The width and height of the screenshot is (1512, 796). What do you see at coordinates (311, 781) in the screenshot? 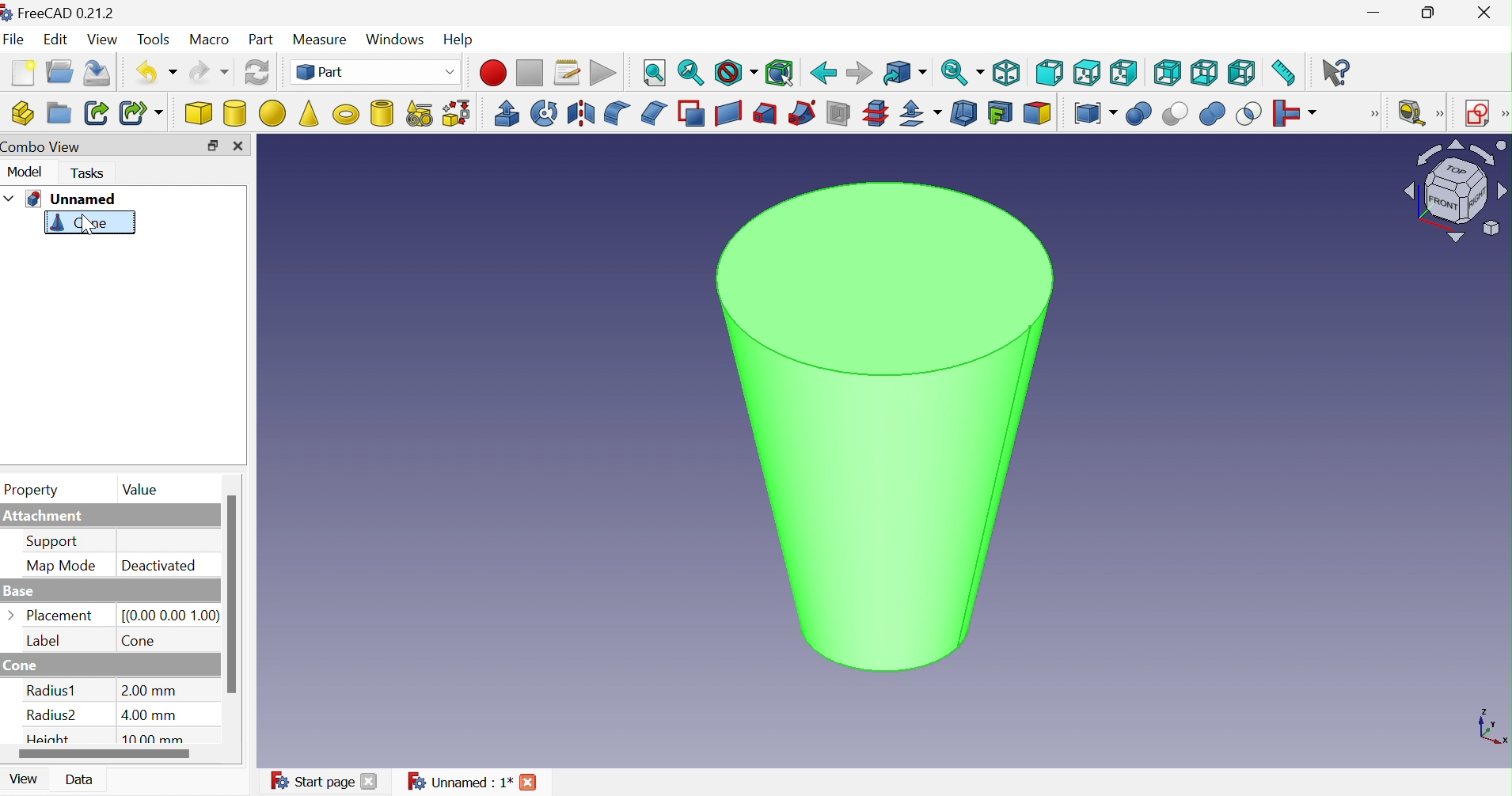
I see `Start page` at bounding box center [311, 781].